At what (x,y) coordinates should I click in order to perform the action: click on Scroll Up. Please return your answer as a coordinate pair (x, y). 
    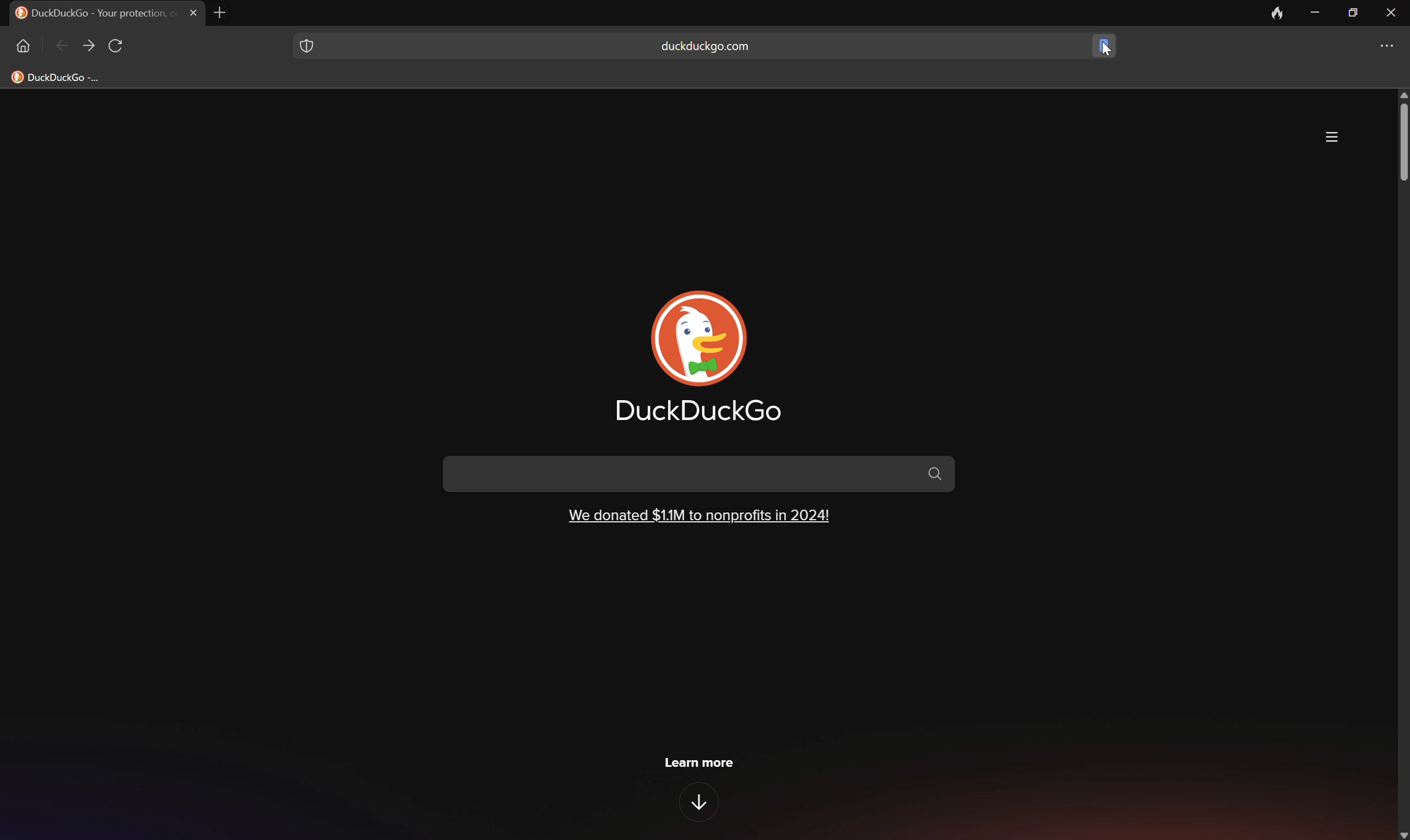
    Looking at the image, I should click on (1401, 93).